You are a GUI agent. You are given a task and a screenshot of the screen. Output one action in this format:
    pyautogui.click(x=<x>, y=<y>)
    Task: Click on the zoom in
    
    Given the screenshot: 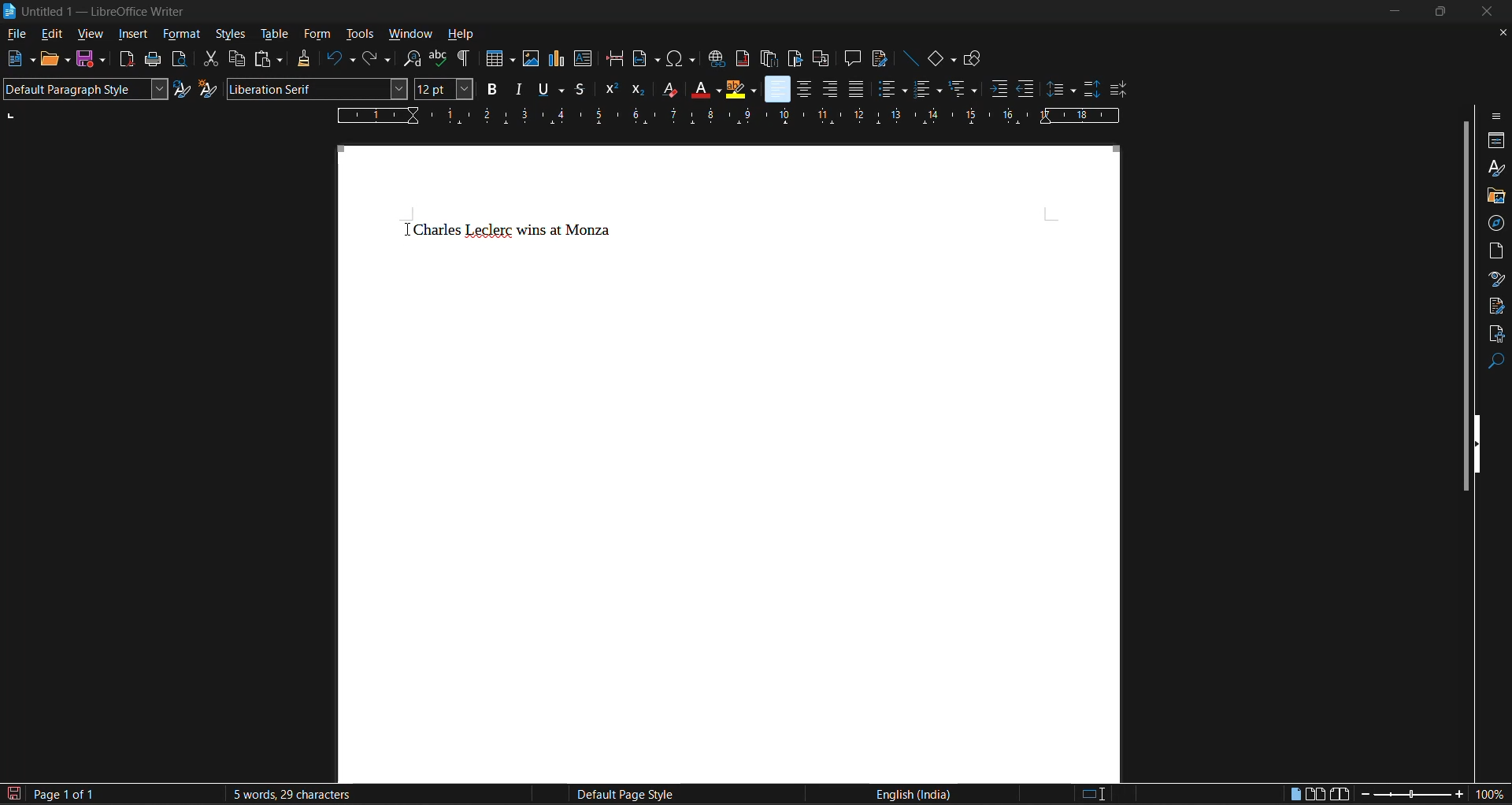 What is the action you would take?
    pyautogui.click(x=1460, y=795)
    